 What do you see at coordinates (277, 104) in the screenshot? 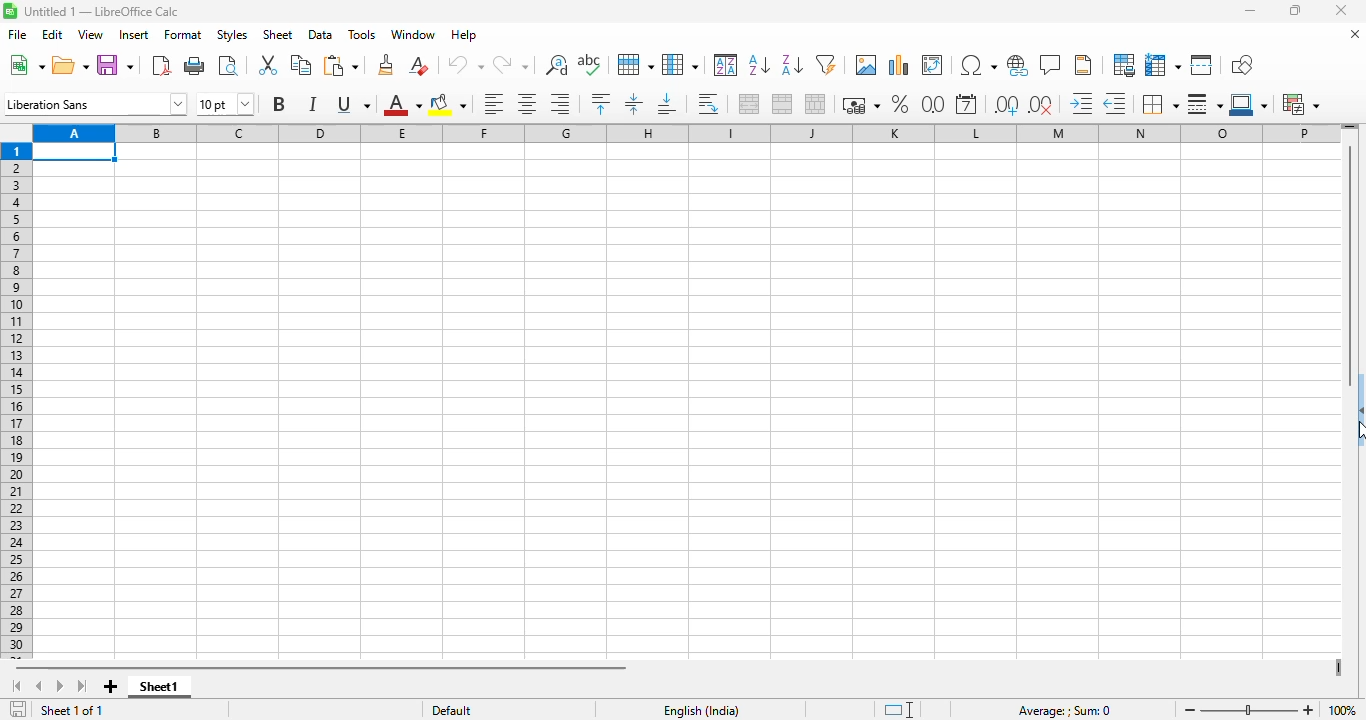
I see `bold` at bounding box center [277, 104].